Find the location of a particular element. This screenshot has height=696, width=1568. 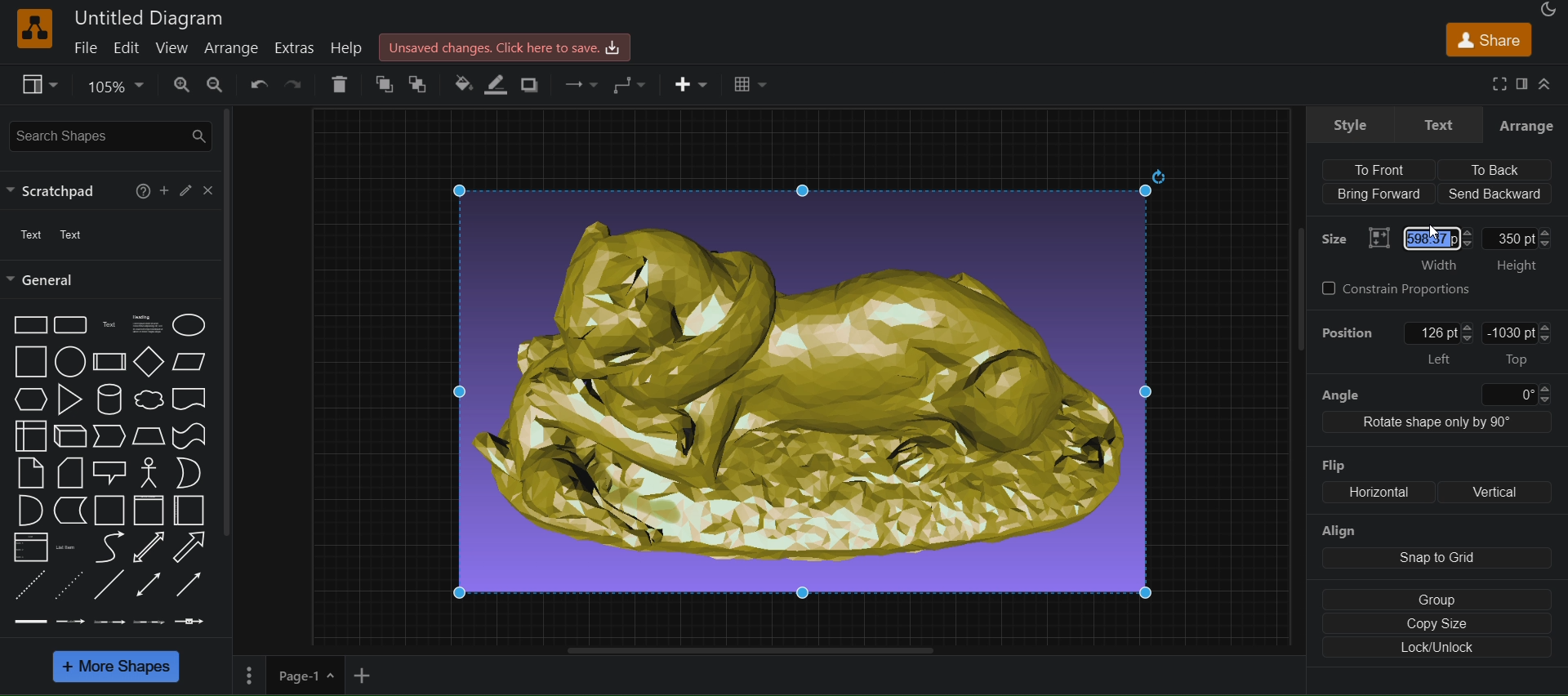

‘Width is located at coordinates (1436, 265).